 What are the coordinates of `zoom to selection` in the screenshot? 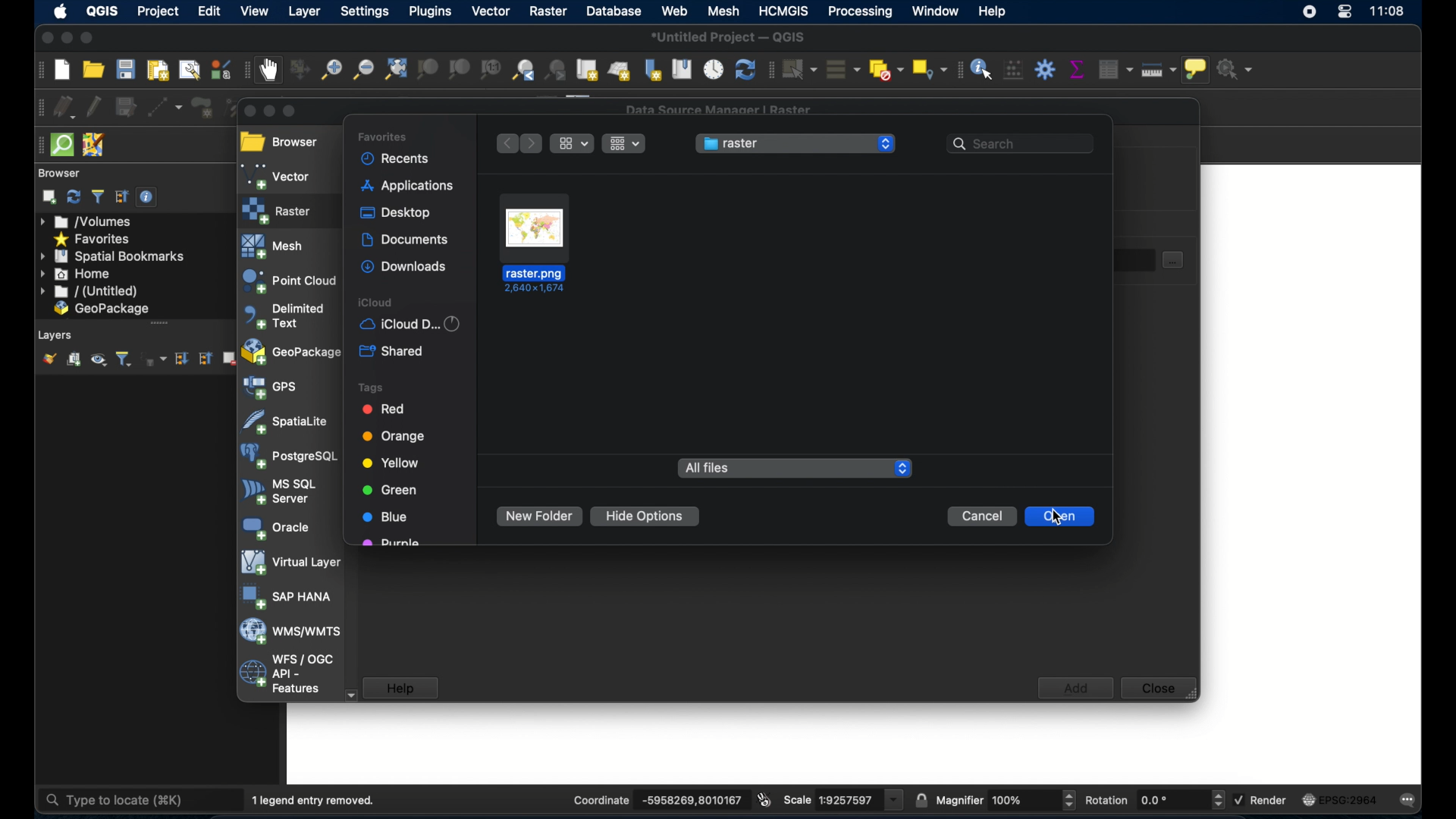 It's located at (427, 69).